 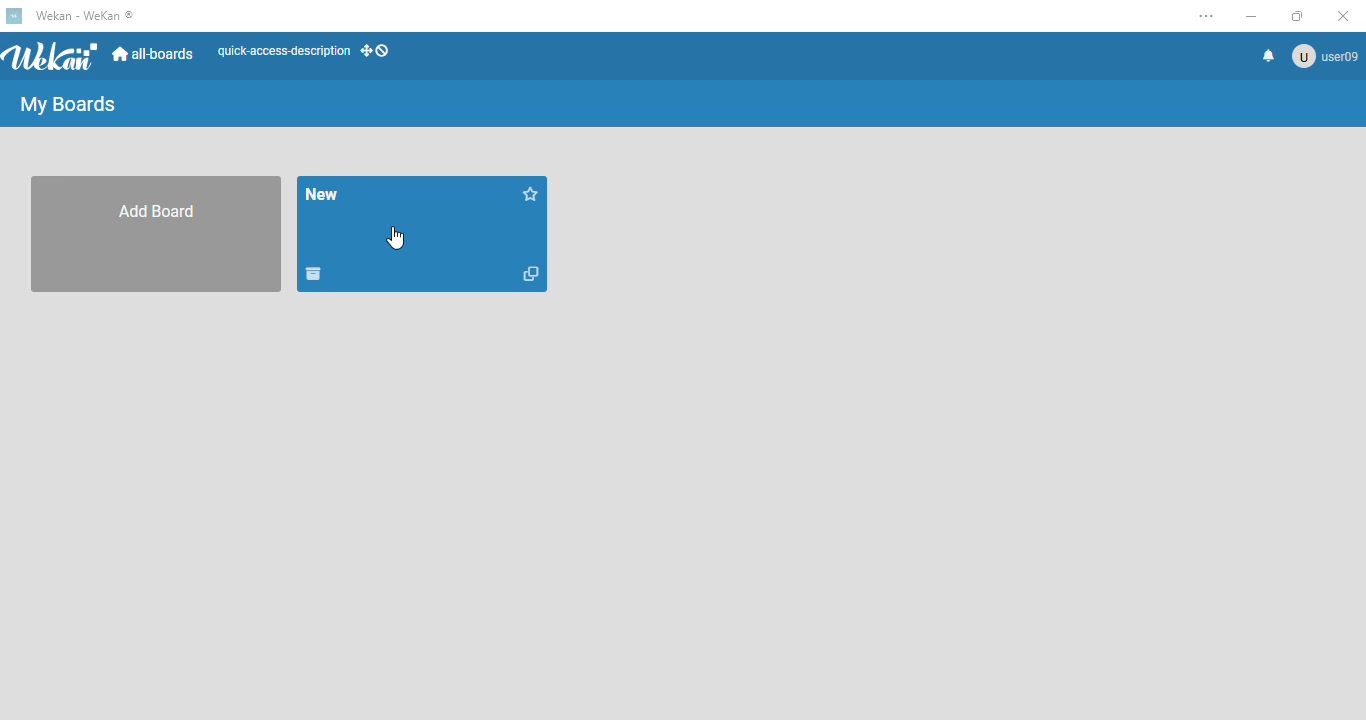 What do you see at coordinates (531, 193) in the screenshot?
I see `click to star this board` at bounding box center [531, 193].